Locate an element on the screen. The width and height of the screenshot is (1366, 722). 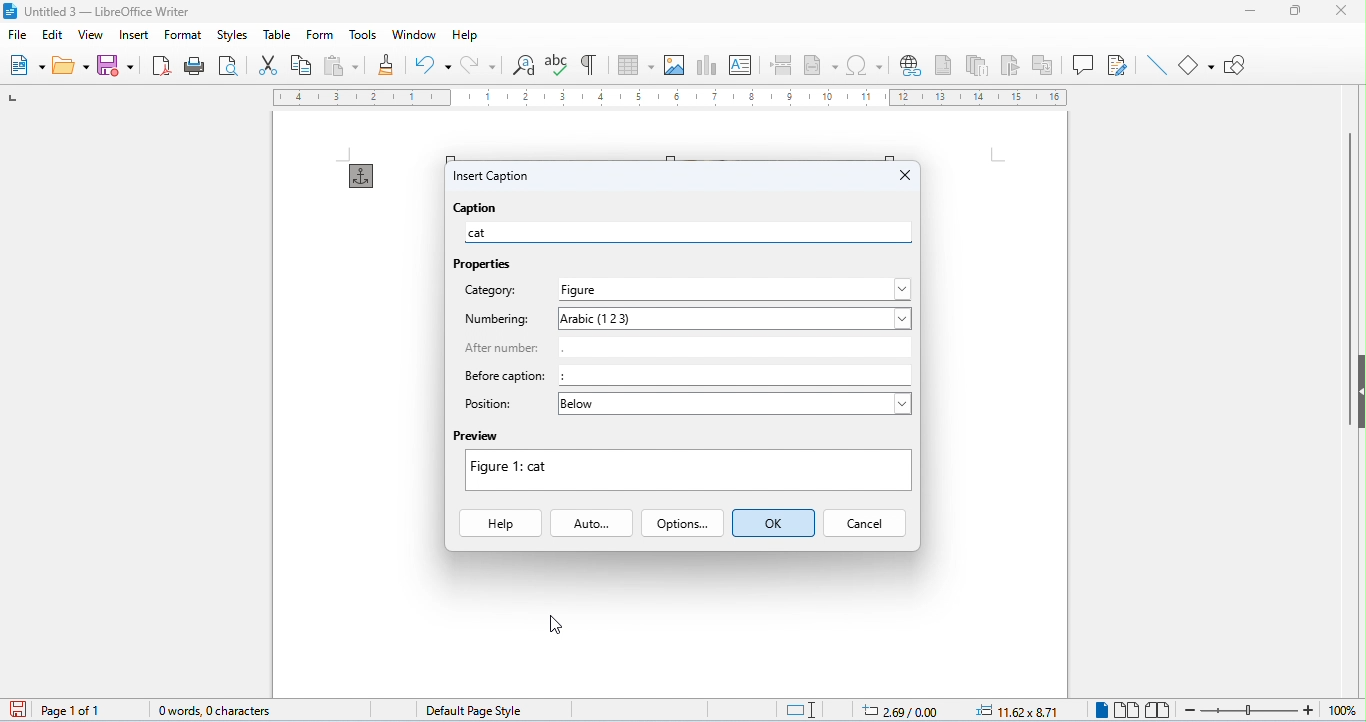
ok is located at coordinates (774, 522).